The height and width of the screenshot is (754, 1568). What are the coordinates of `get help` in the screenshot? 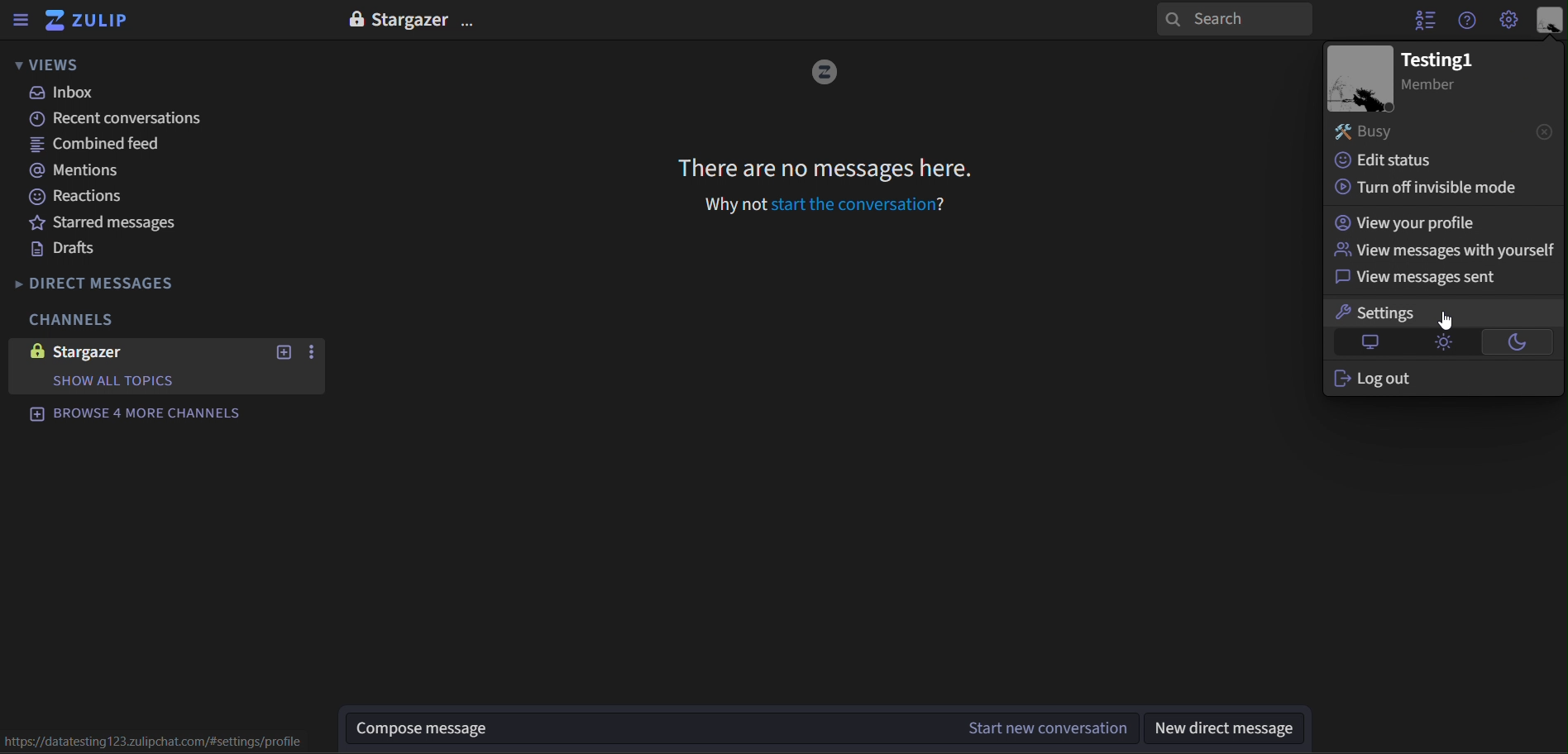 It's located at (1469, 19).